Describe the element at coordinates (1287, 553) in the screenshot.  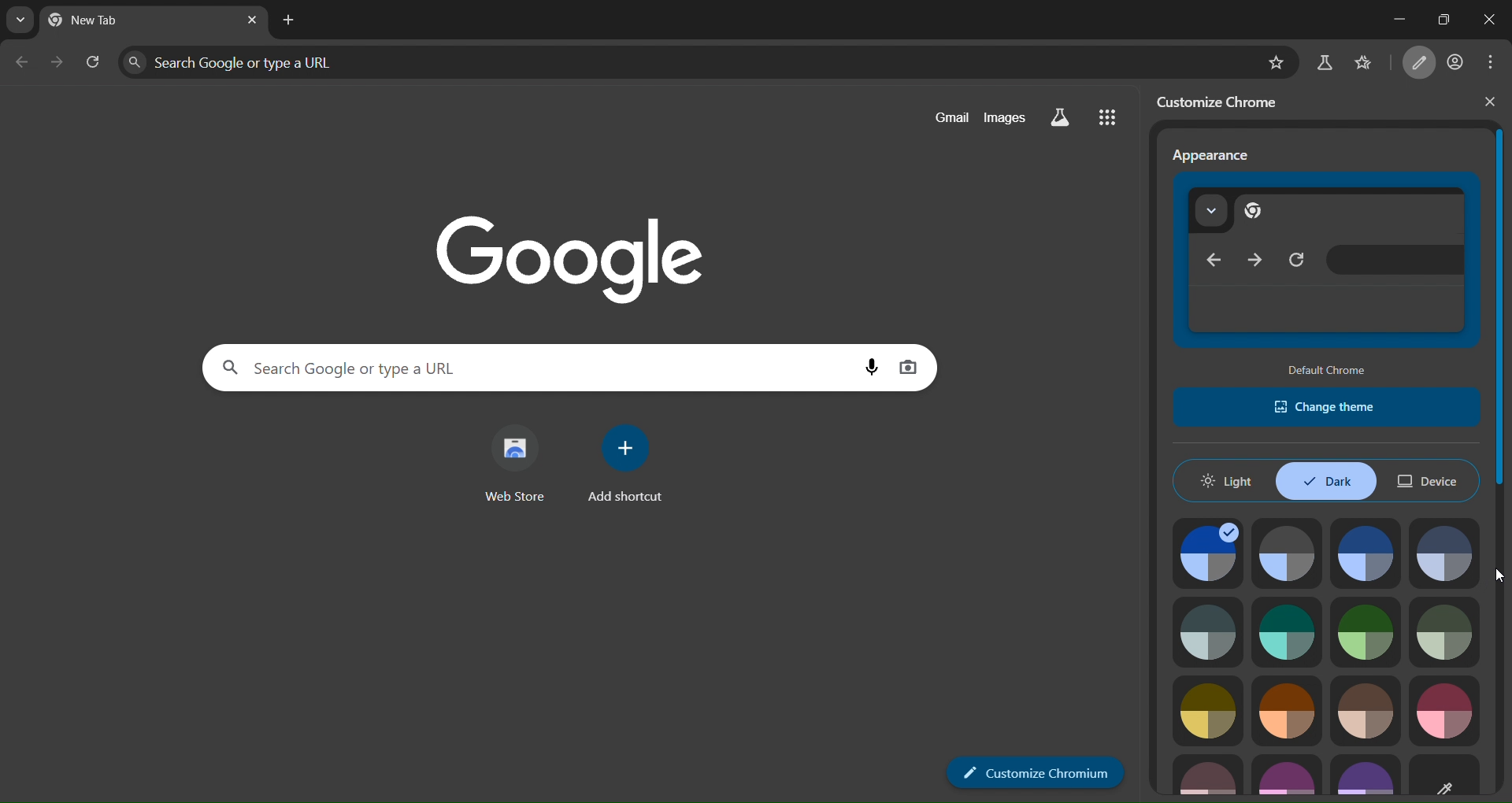
I see `image` at that location.